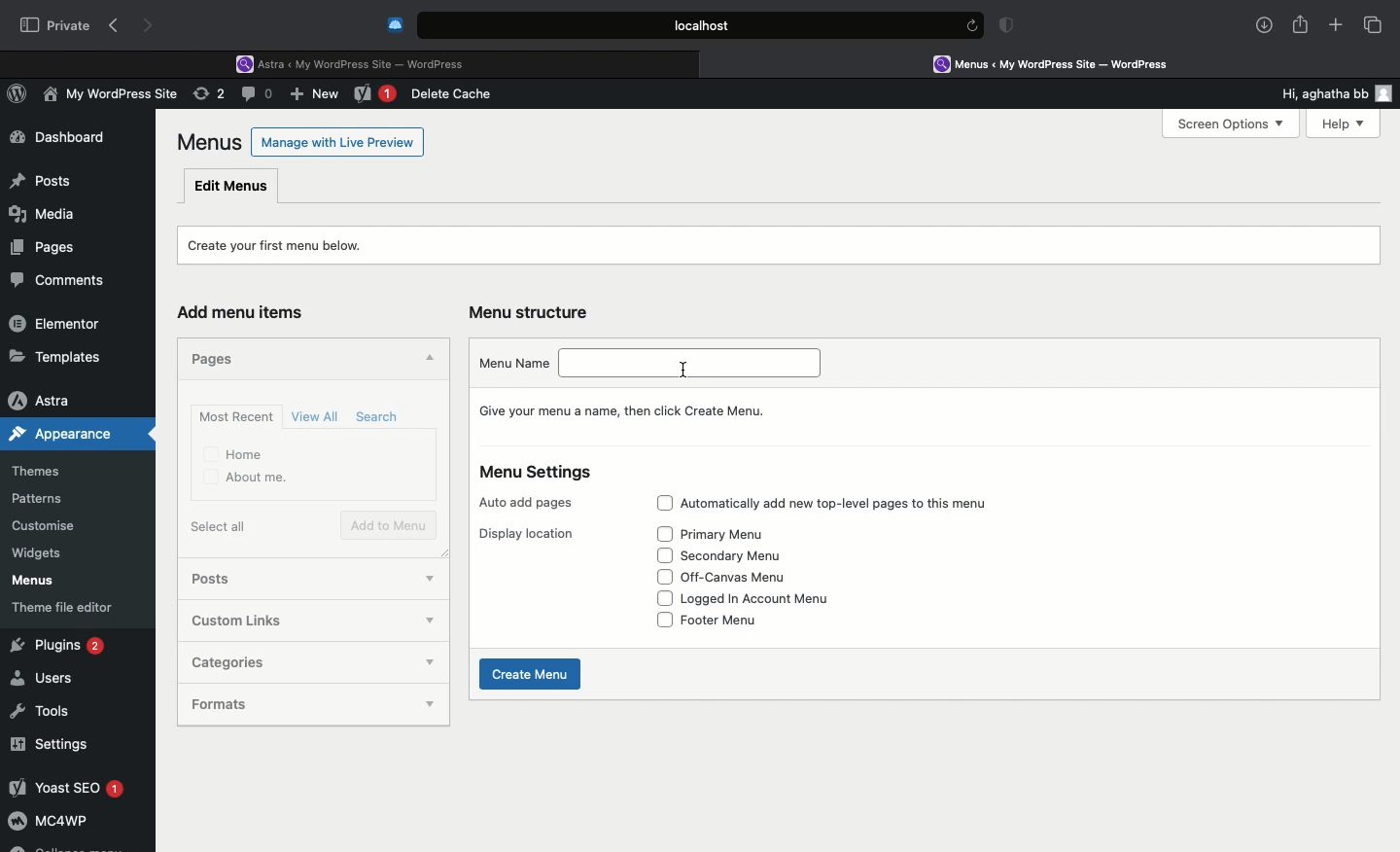  Describe the element at coordinates (259, 662) in the screenshot. I see `Categories` at that location.